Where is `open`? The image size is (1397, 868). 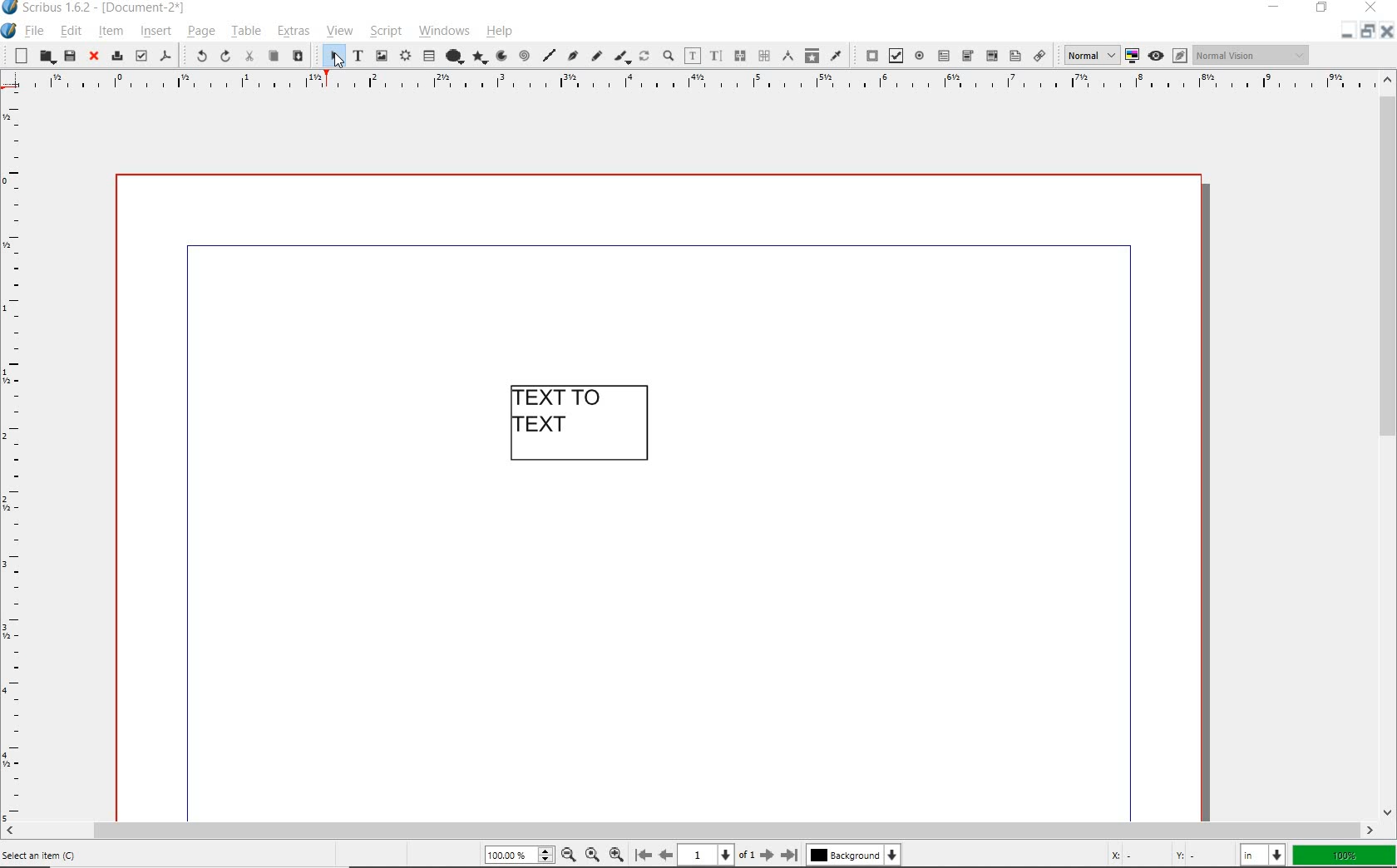
open is located at coordinates (47, 57).